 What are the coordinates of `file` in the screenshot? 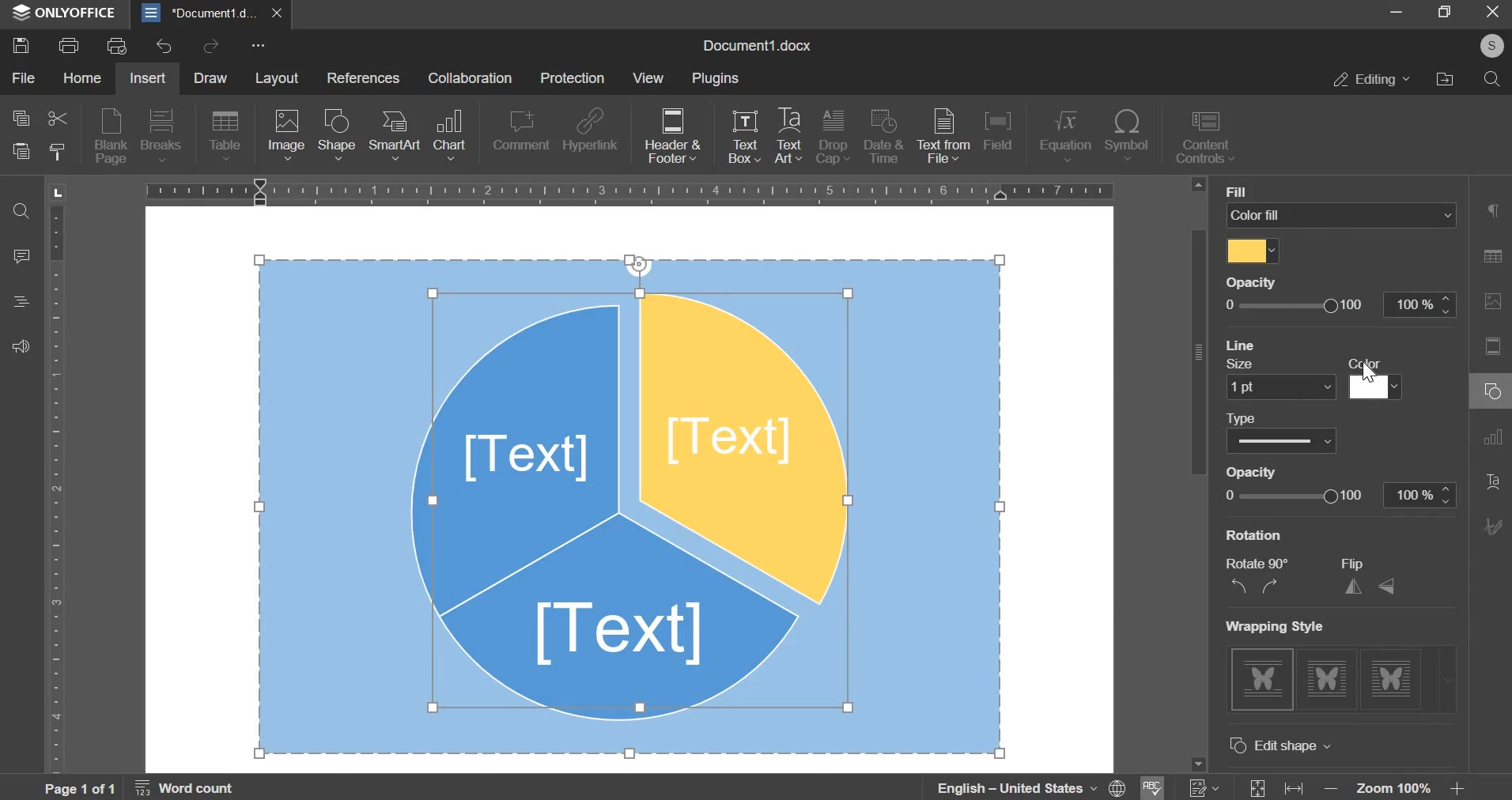 It's located at (26, 77).